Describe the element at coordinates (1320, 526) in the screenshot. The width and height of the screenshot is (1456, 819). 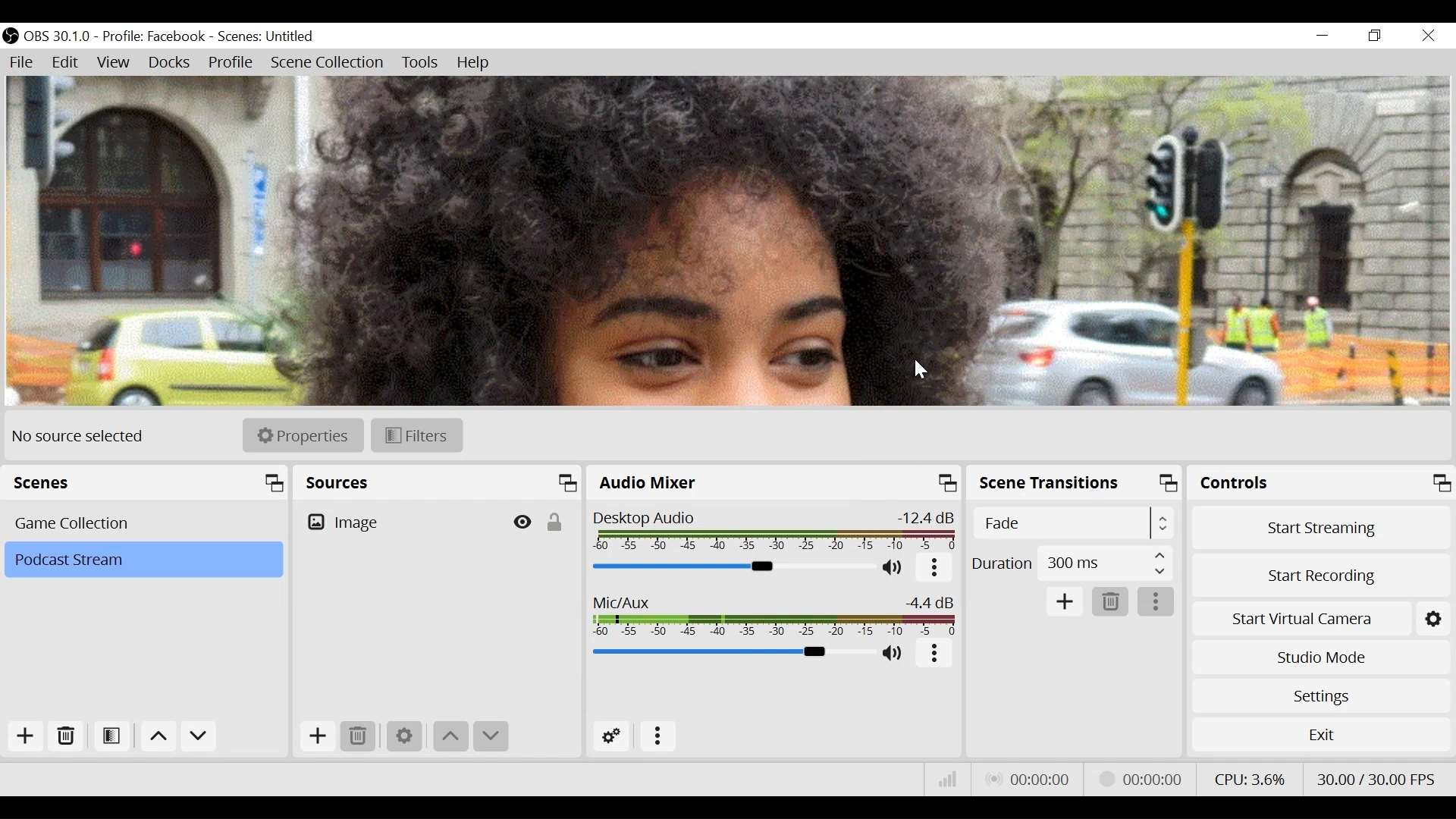
I see `Start Streaming` at that location.